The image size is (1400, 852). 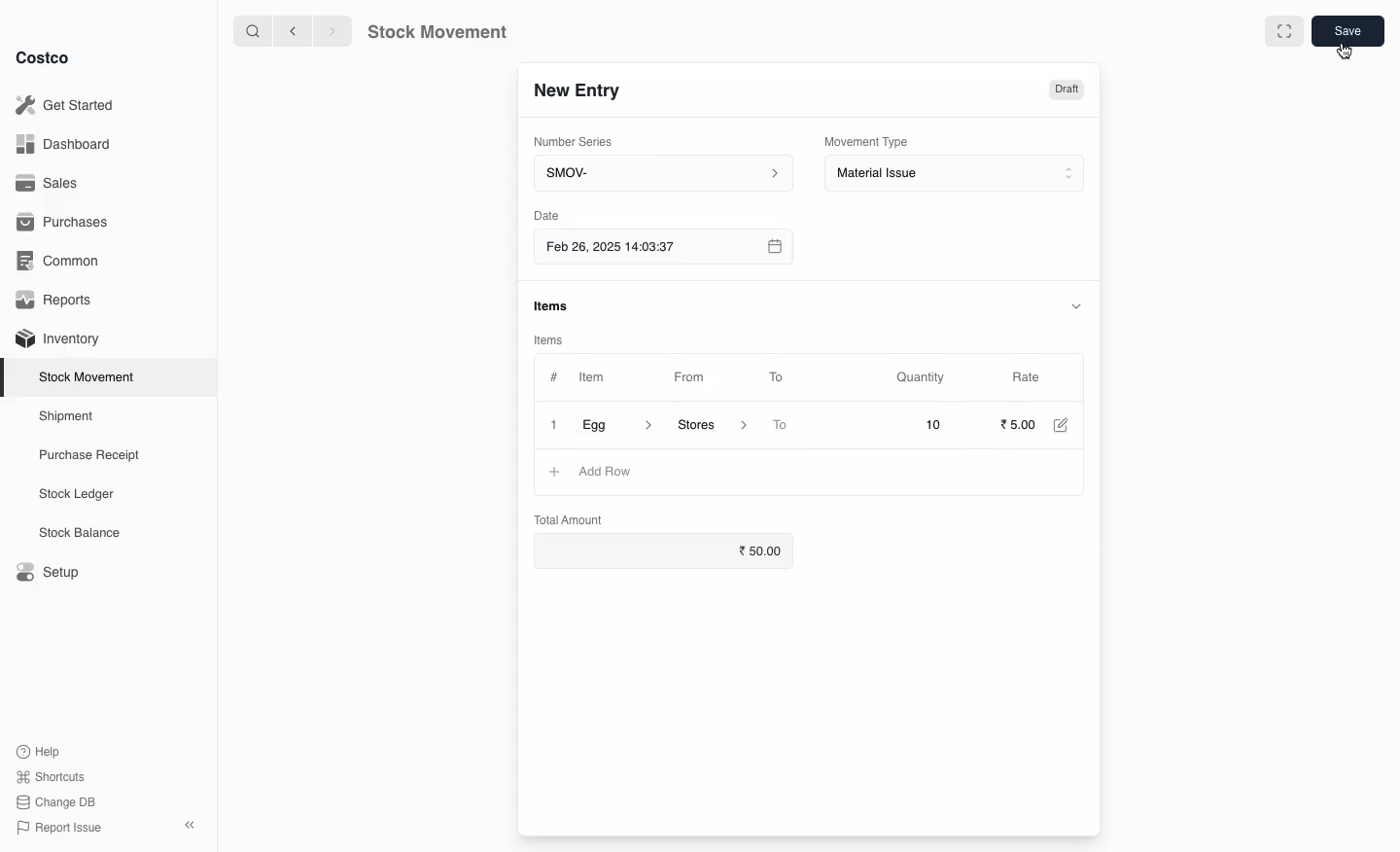 What do you see at coordinates (782, 426) in the screenshot?
I see `To` at bounding box center [782, 426].